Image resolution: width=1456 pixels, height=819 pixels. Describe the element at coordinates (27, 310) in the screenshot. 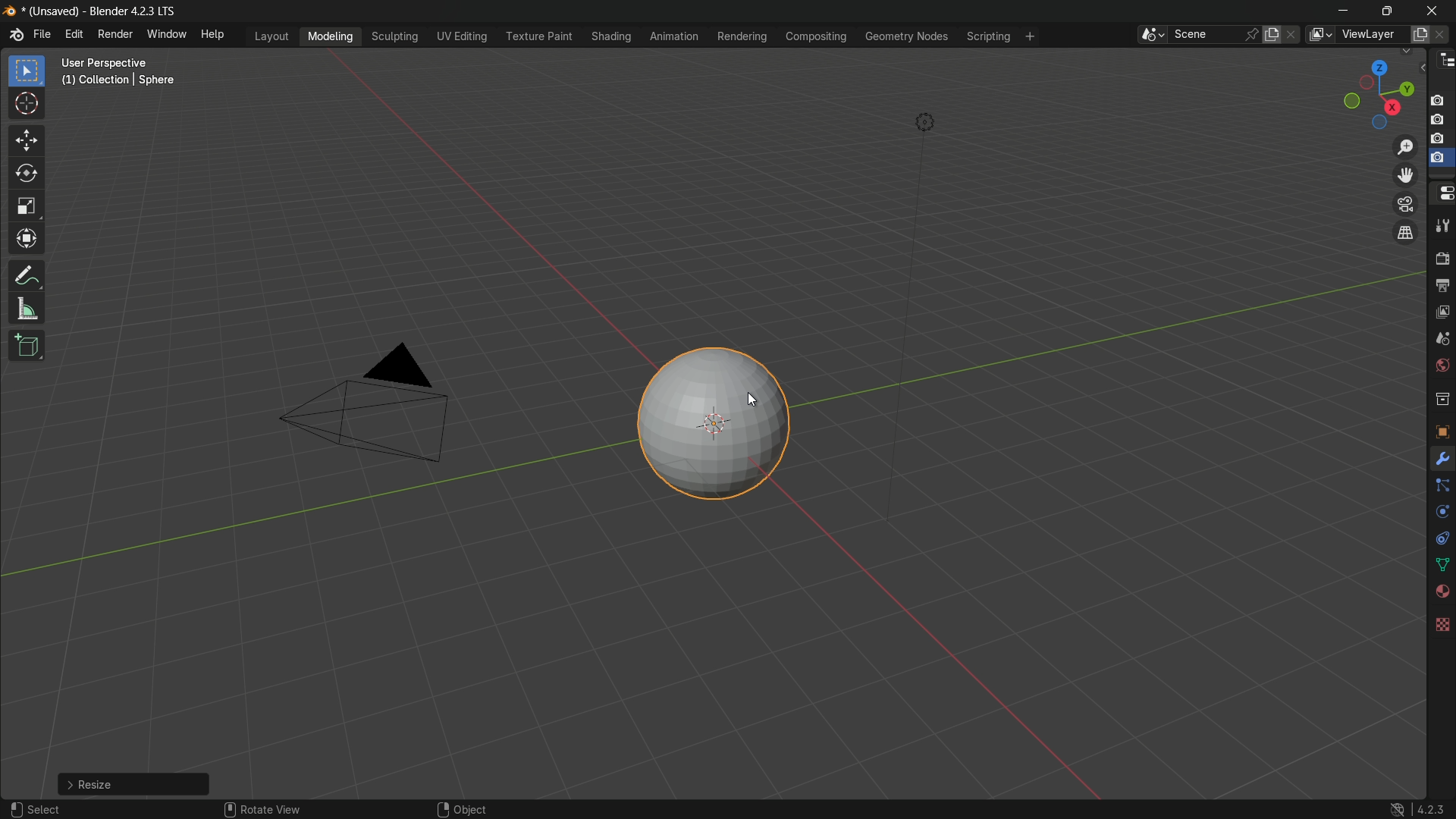

I see `measure` at that location.